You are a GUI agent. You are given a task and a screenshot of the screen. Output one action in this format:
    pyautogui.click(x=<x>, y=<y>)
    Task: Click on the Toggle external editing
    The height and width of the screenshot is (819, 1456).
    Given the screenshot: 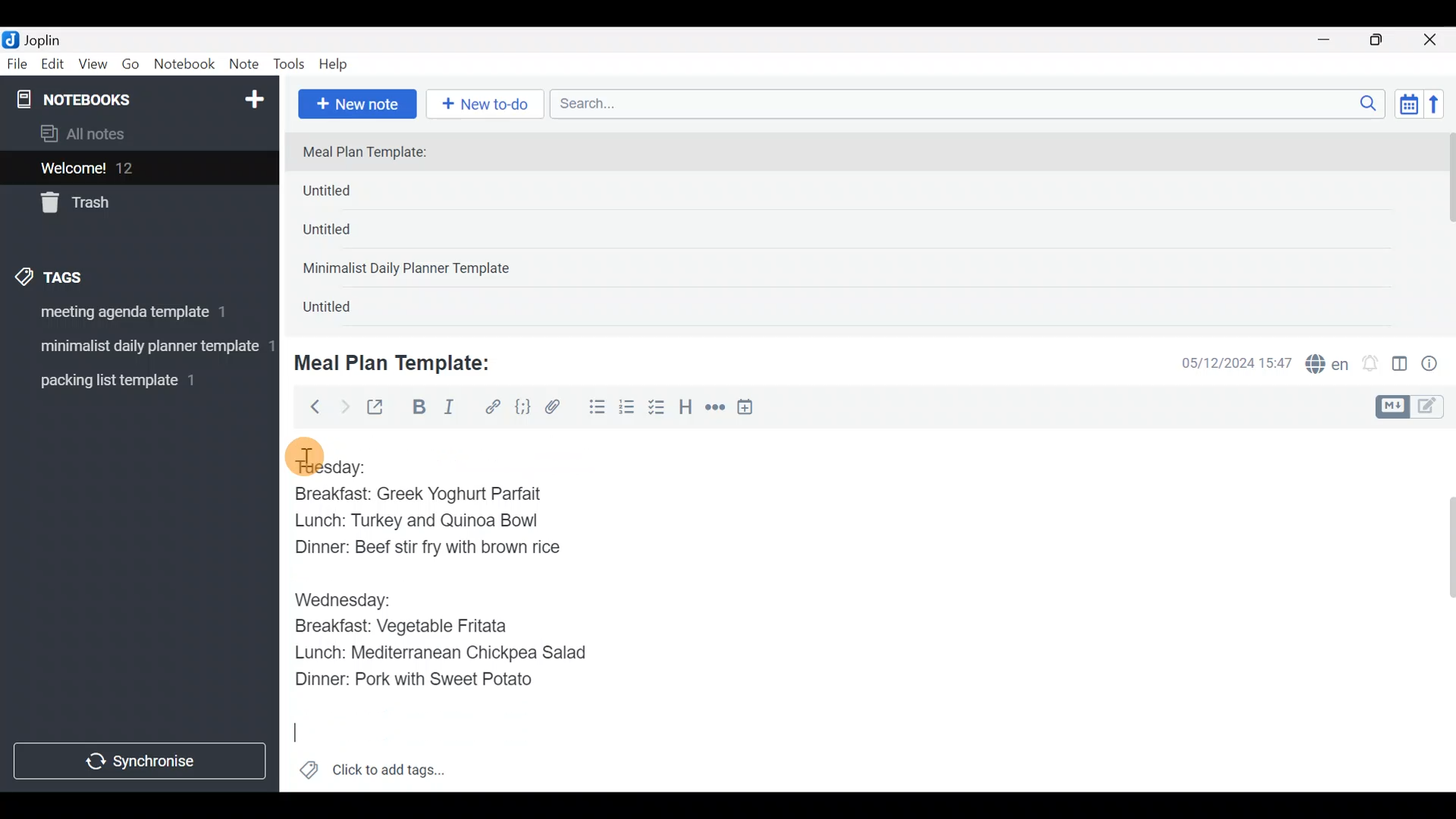 What is the action you would take?
    pyautogui.click(x=381, y=408)
    